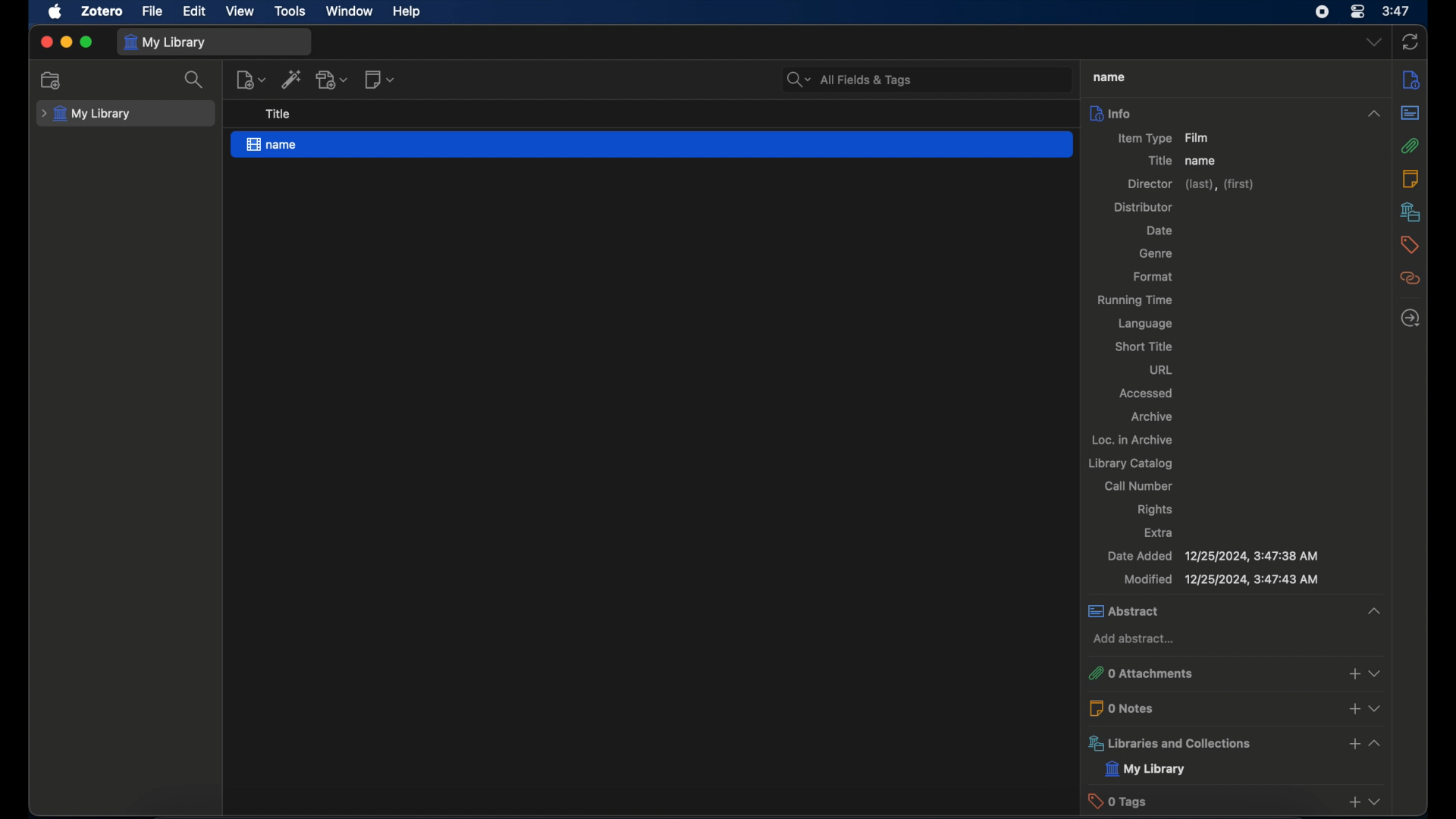  What do you see at coordinates (351, 11) in the screenshot?
I see `window` at bounding box center [351, 11].